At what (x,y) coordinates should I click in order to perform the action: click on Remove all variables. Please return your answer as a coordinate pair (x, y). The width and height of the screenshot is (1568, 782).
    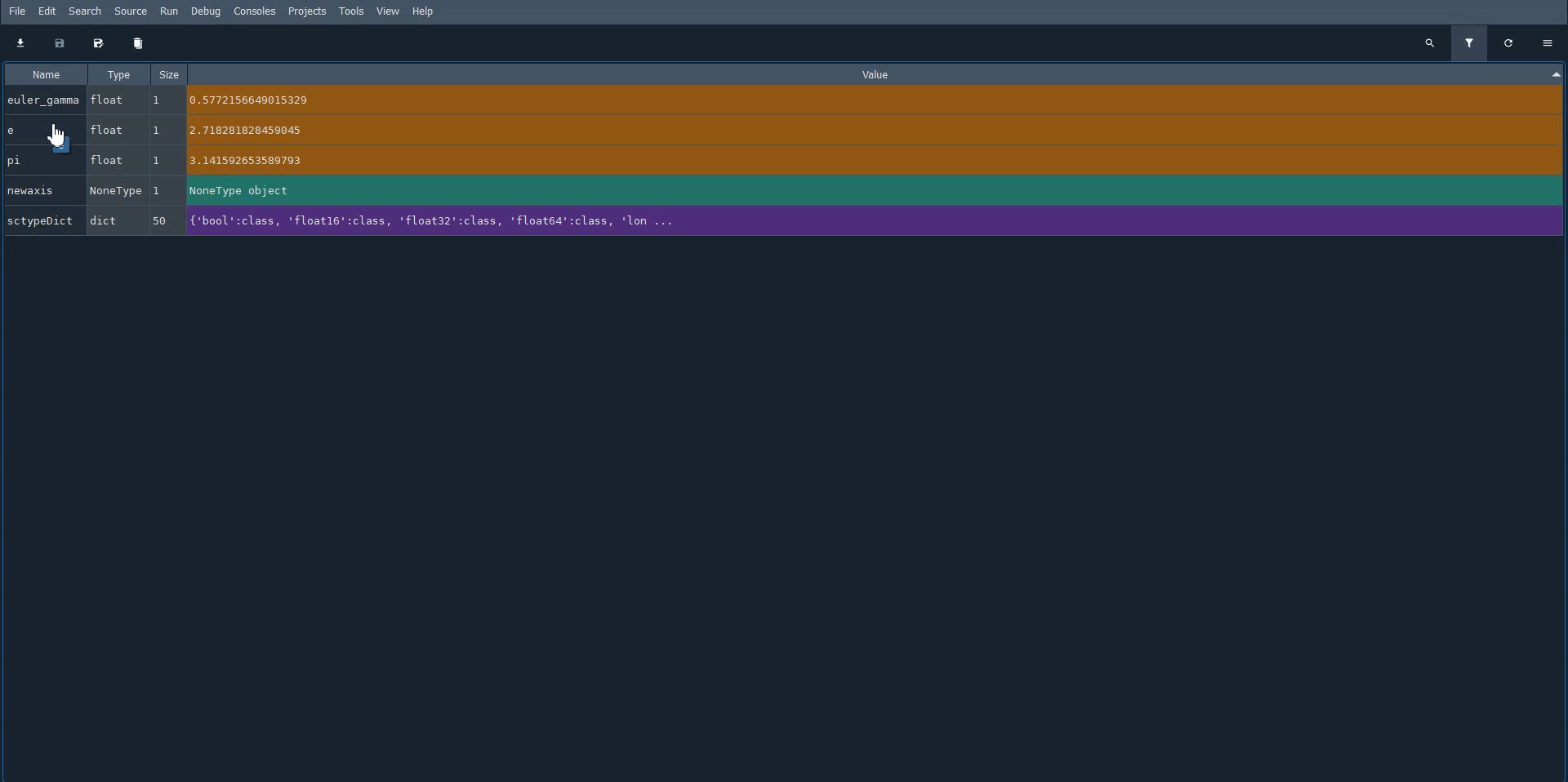
    Looking at the image, I should click on (139, 44).